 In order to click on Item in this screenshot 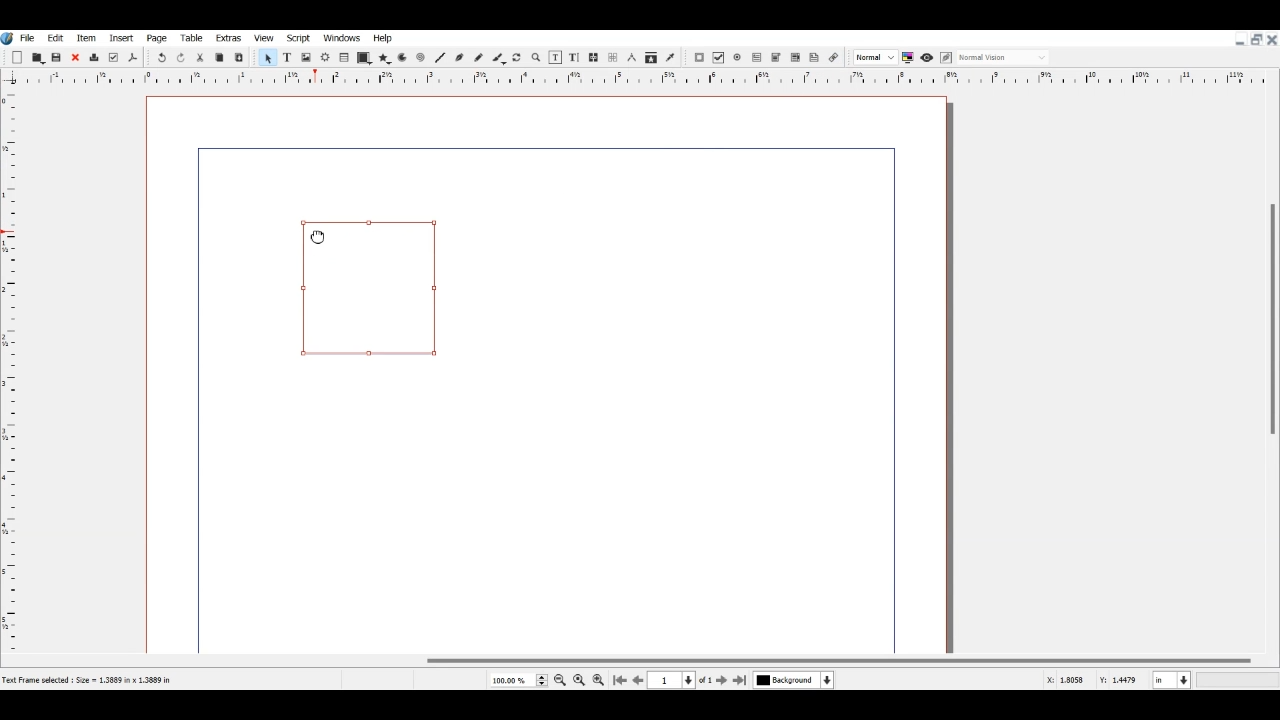, I will do `click(84, 38)`.